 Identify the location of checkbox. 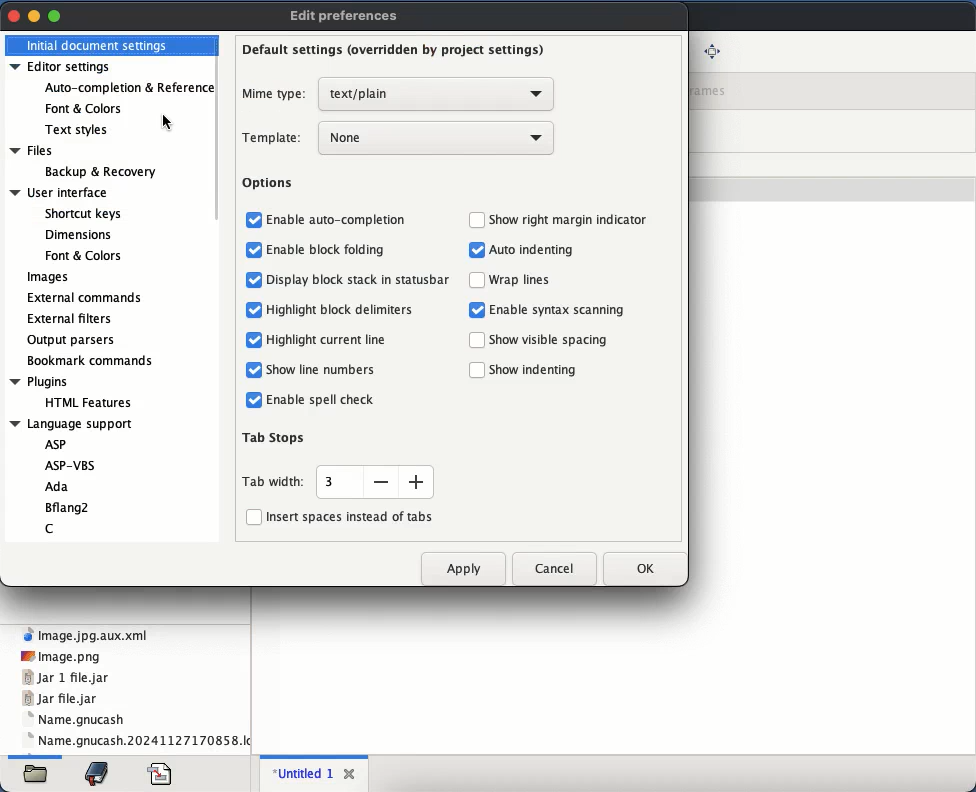
(253, 251).